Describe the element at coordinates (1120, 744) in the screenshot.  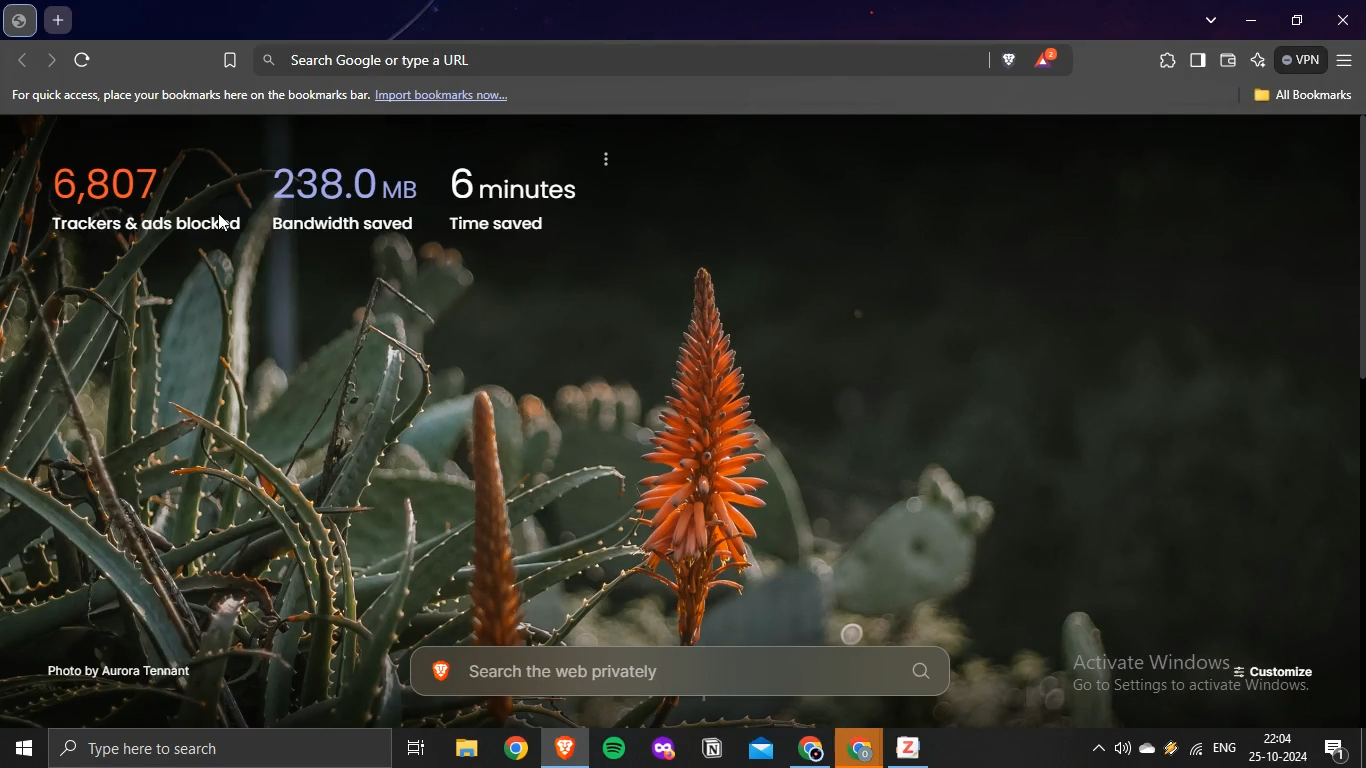
I see `volume` at that location.